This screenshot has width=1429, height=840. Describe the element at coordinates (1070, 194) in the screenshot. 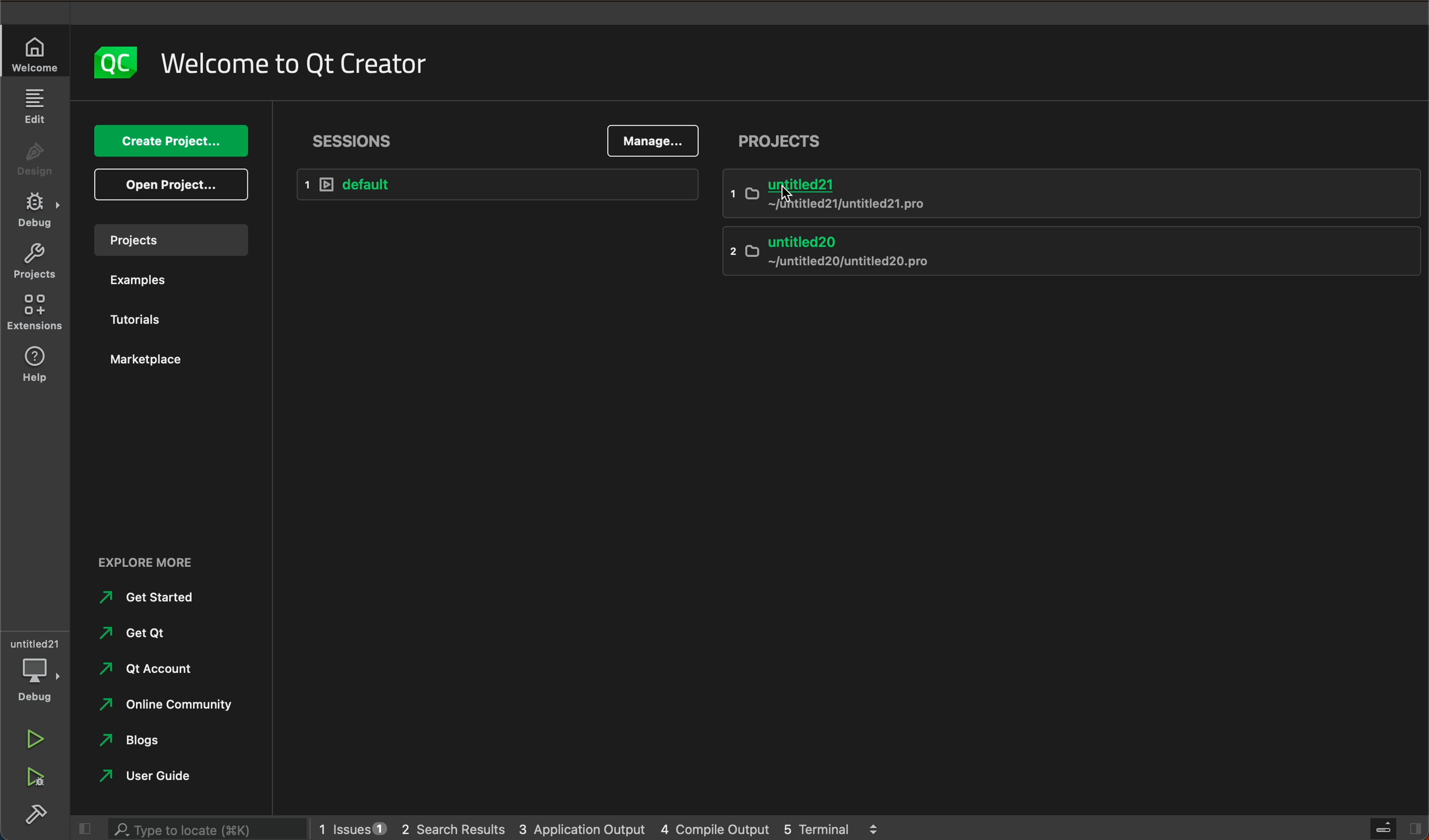

I see `untitled` at that location.